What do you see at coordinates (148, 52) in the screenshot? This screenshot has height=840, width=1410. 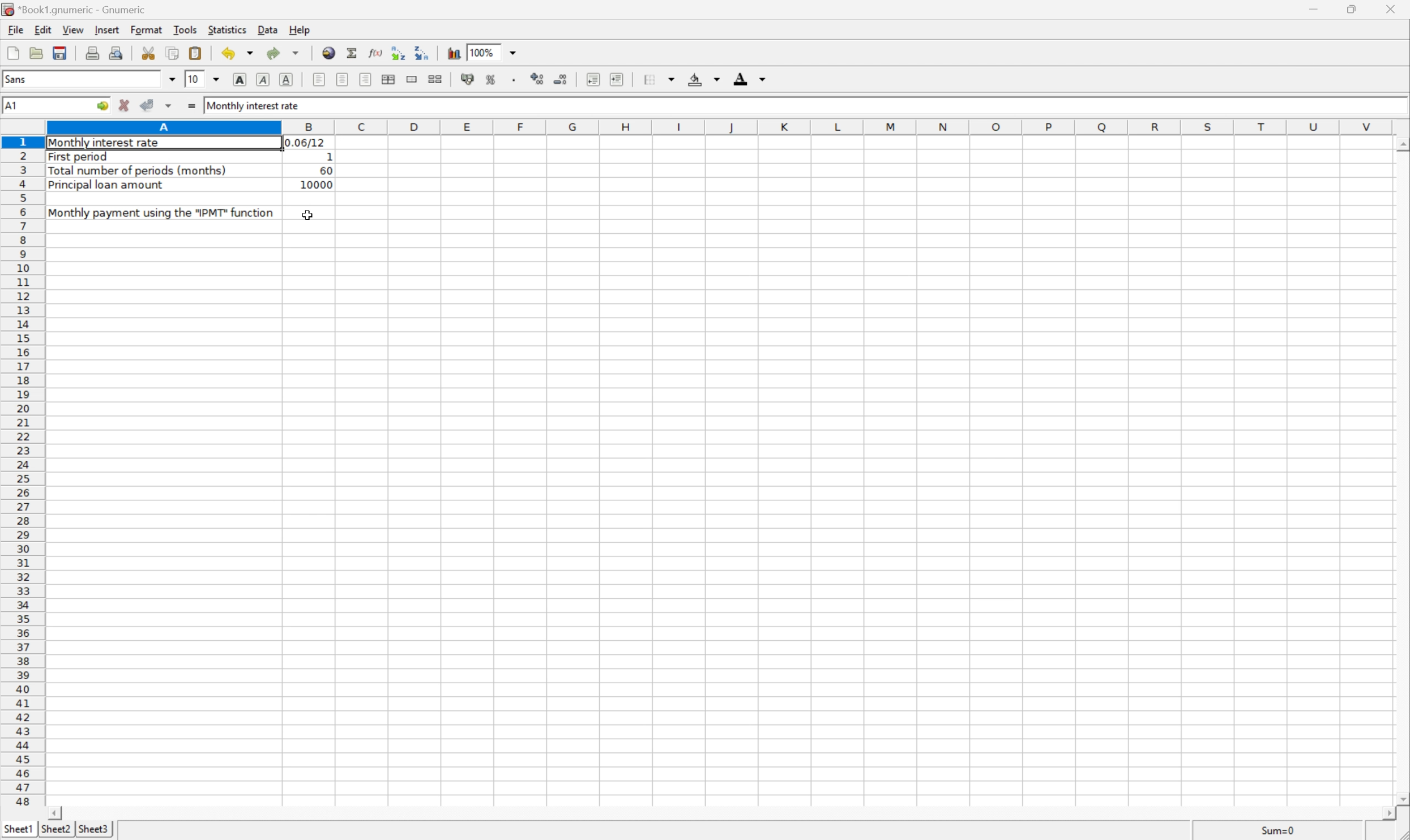 I see `Cut selection` at bounding box center [148, 52].